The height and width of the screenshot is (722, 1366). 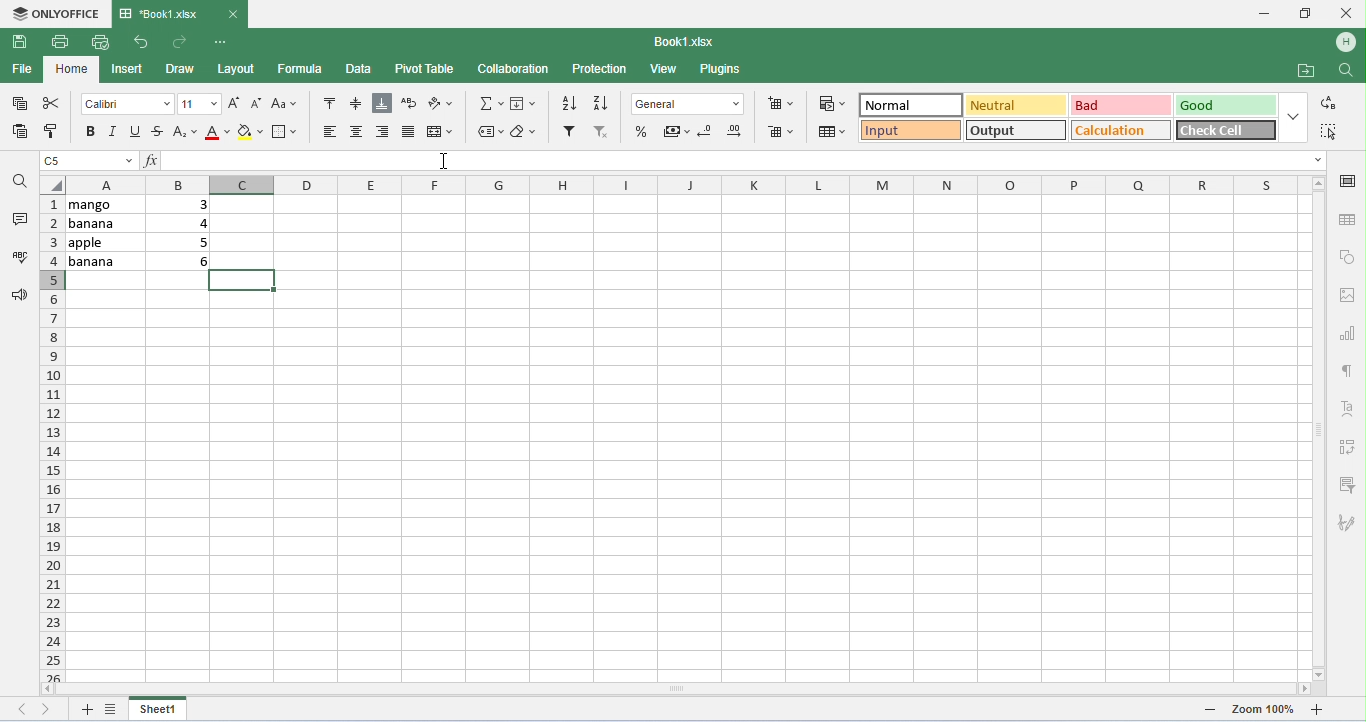 I want to click on neutral, so click(x=1015, y=105).